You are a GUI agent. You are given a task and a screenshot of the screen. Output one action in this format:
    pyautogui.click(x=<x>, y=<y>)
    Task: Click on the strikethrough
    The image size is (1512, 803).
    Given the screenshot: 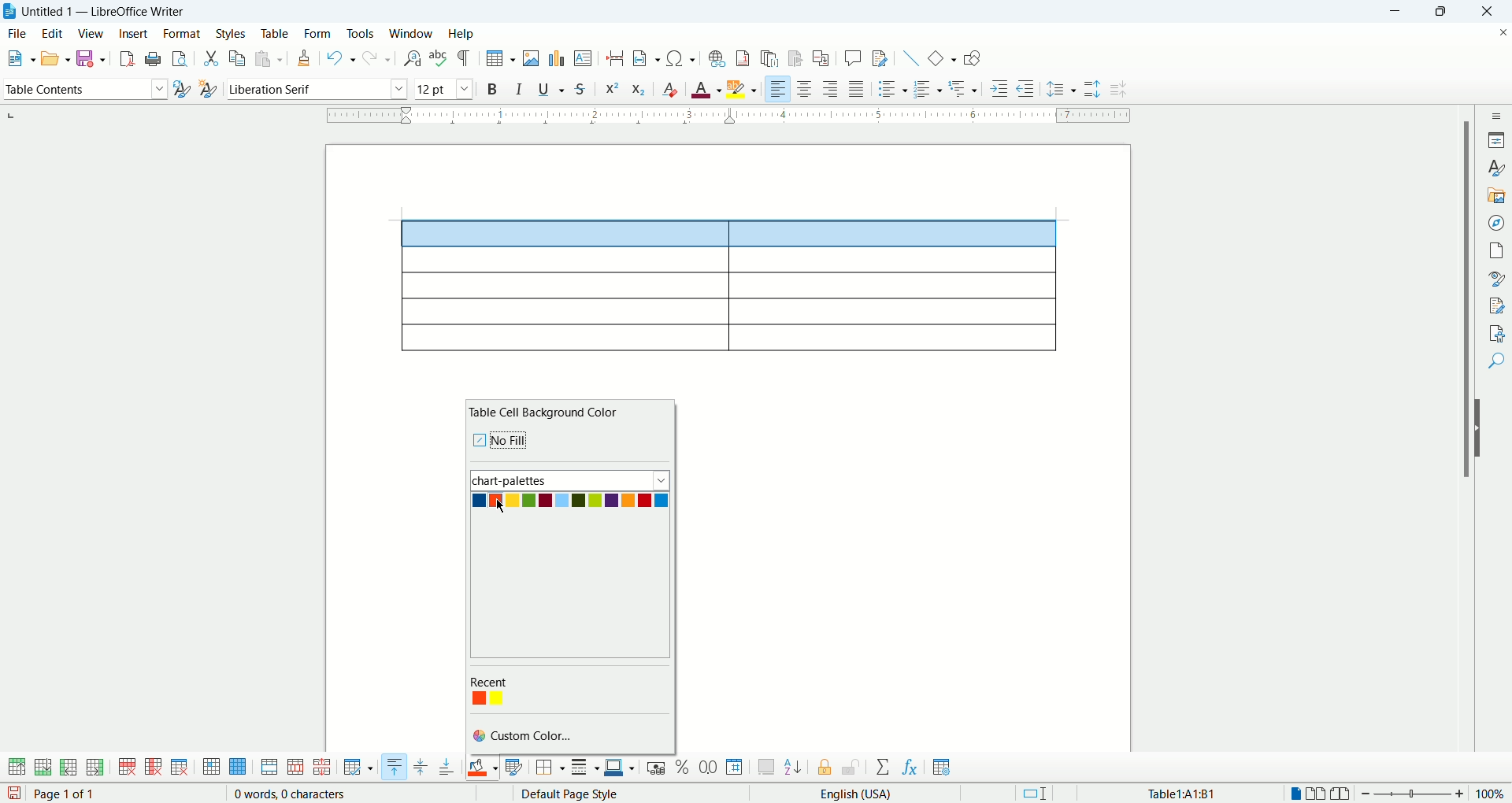 What is the action you would take?
    pyautogui.click(x=580, y=88)
    